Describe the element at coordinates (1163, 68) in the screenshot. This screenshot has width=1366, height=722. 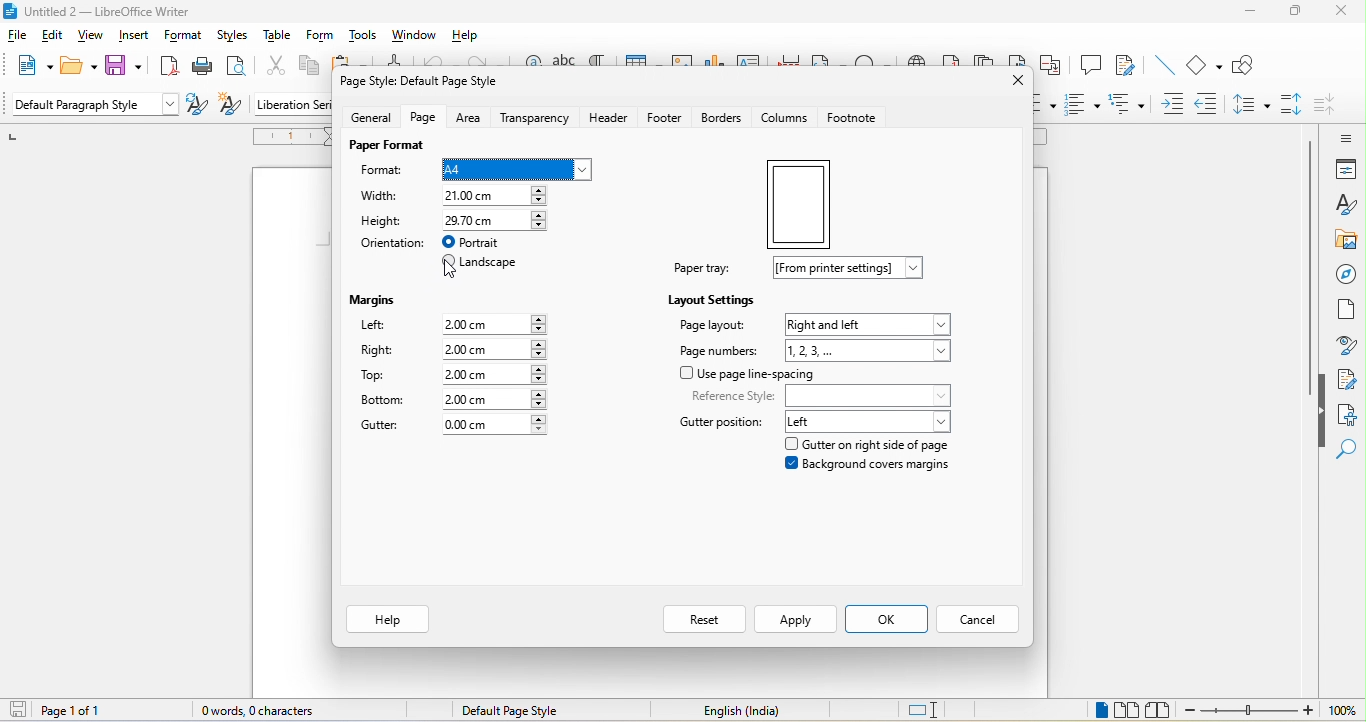
I see `line` at that location.